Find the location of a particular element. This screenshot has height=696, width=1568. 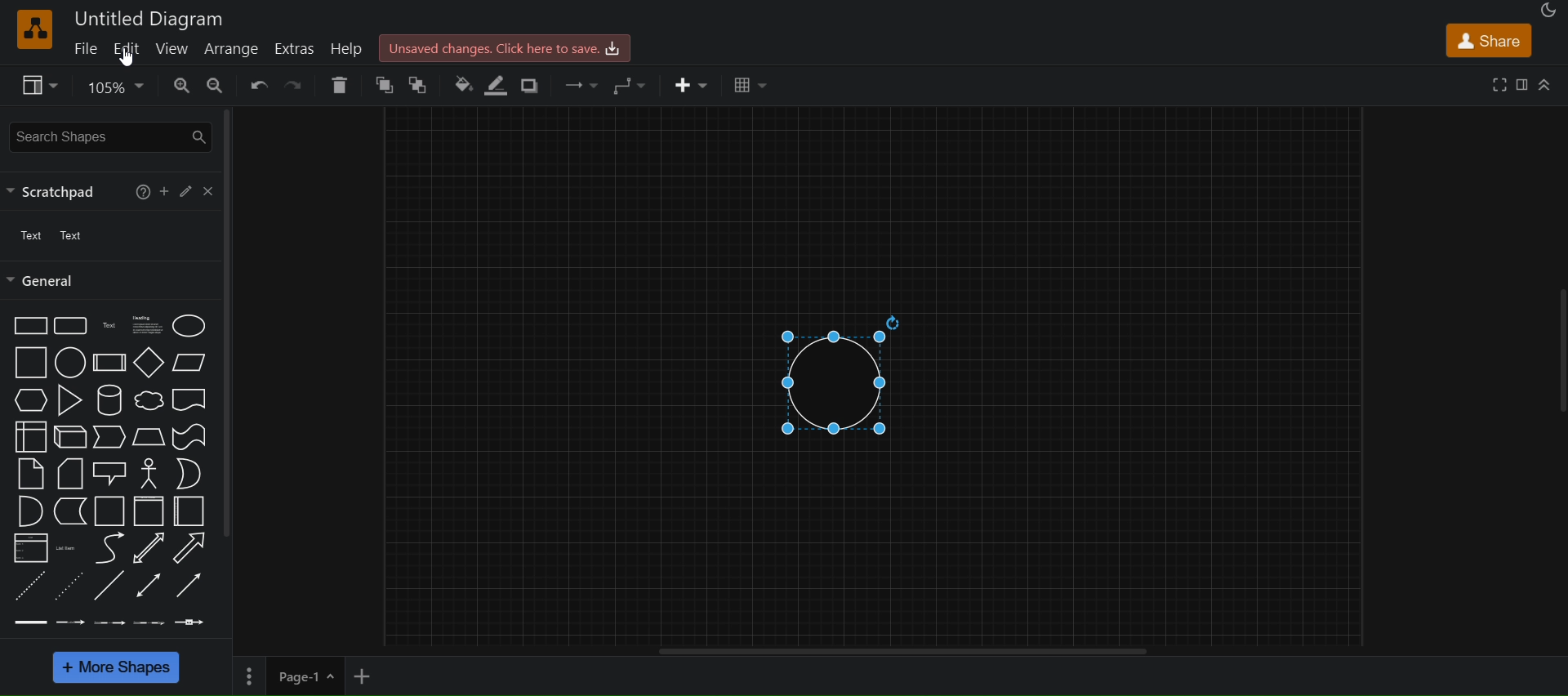

parallelogram is located at coordinates (190, 365).